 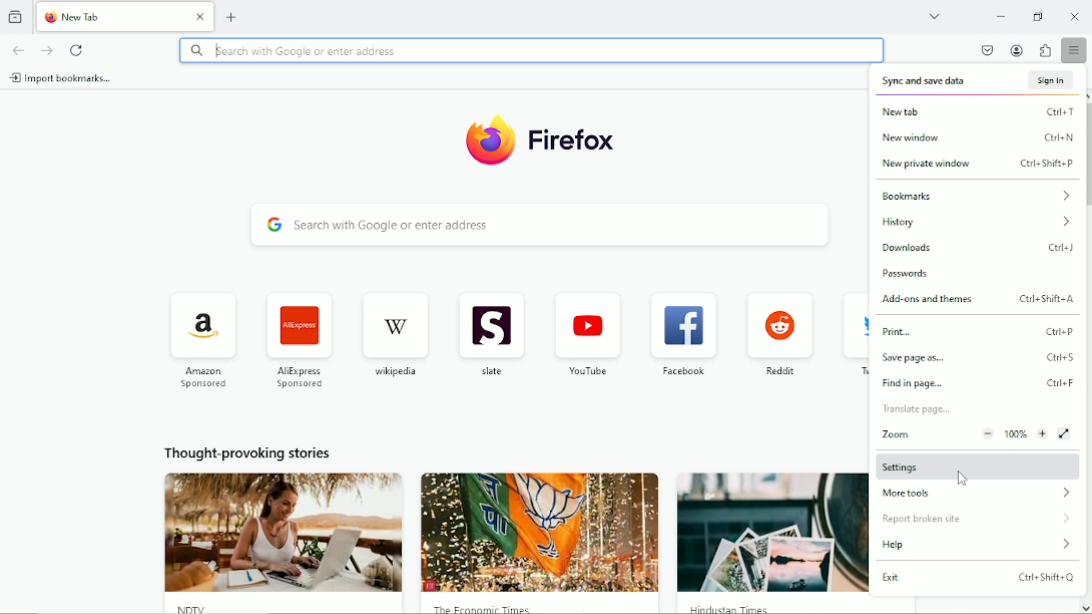 What do you see at coordinates (937, 409) in the screenshot?
I see `translate page` at bounding box center [937, 409].